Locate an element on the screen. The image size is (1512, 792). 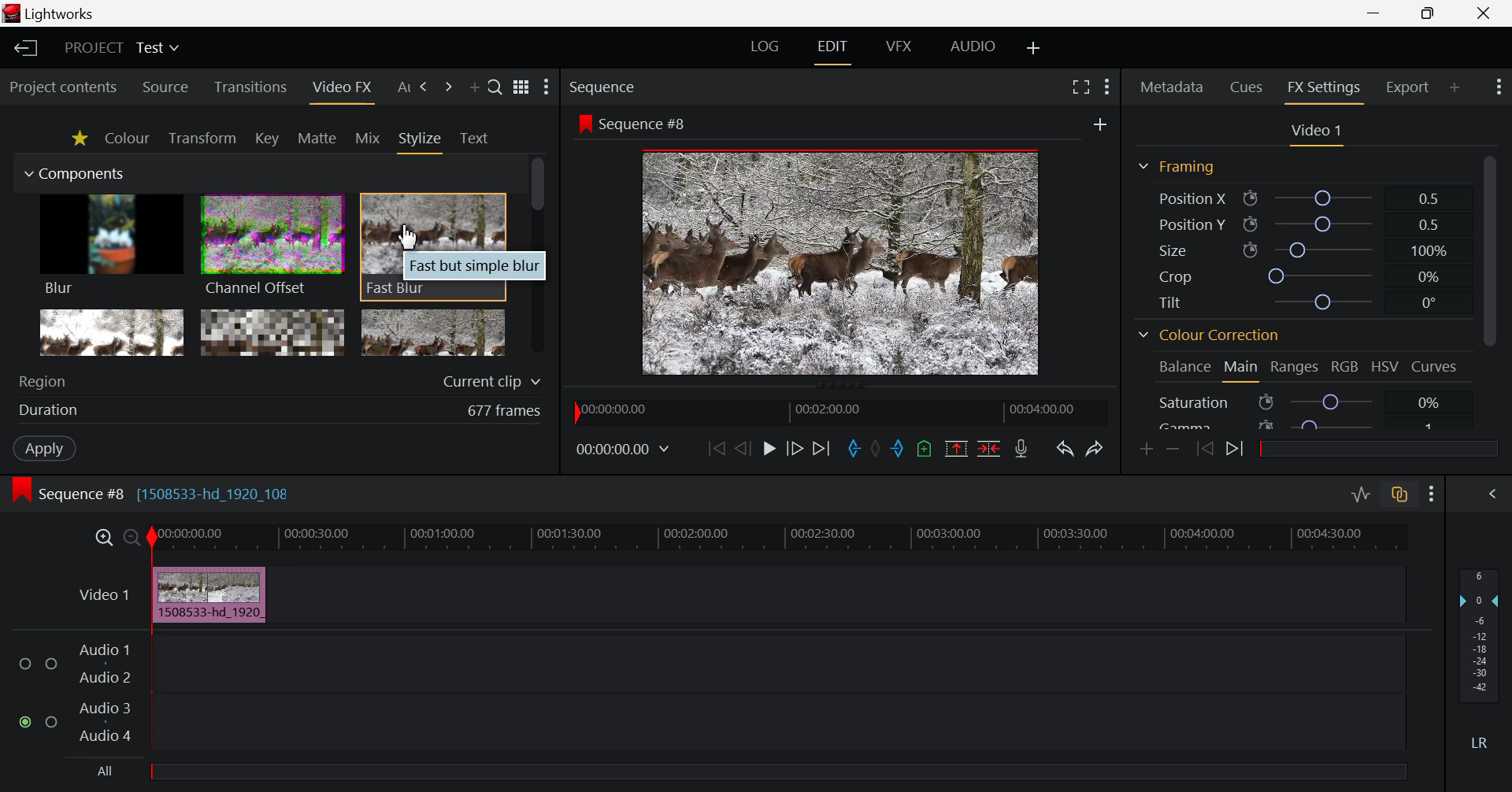
Source is located at coordinates (173, 86).